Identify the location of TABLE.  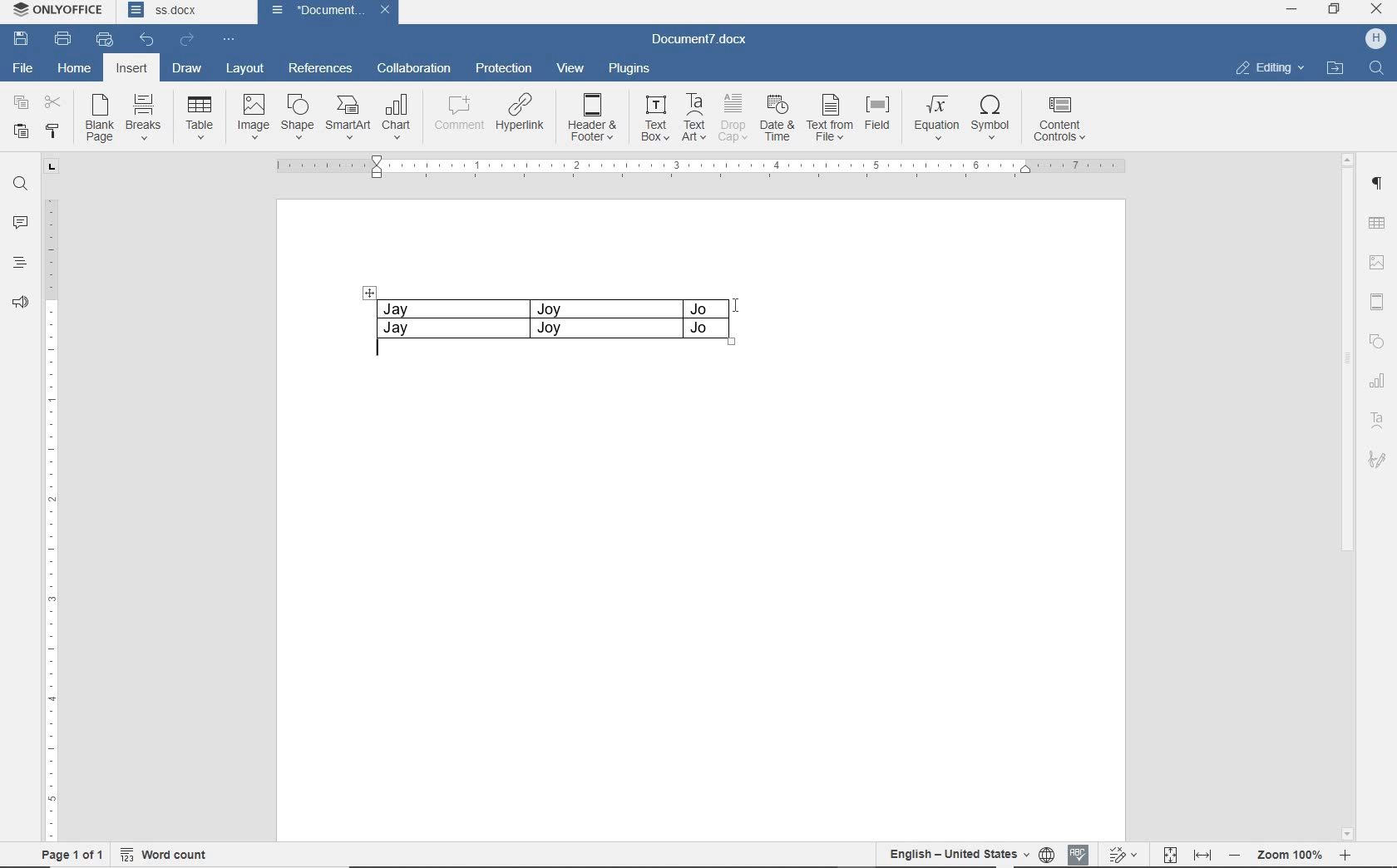
(1377, 221).